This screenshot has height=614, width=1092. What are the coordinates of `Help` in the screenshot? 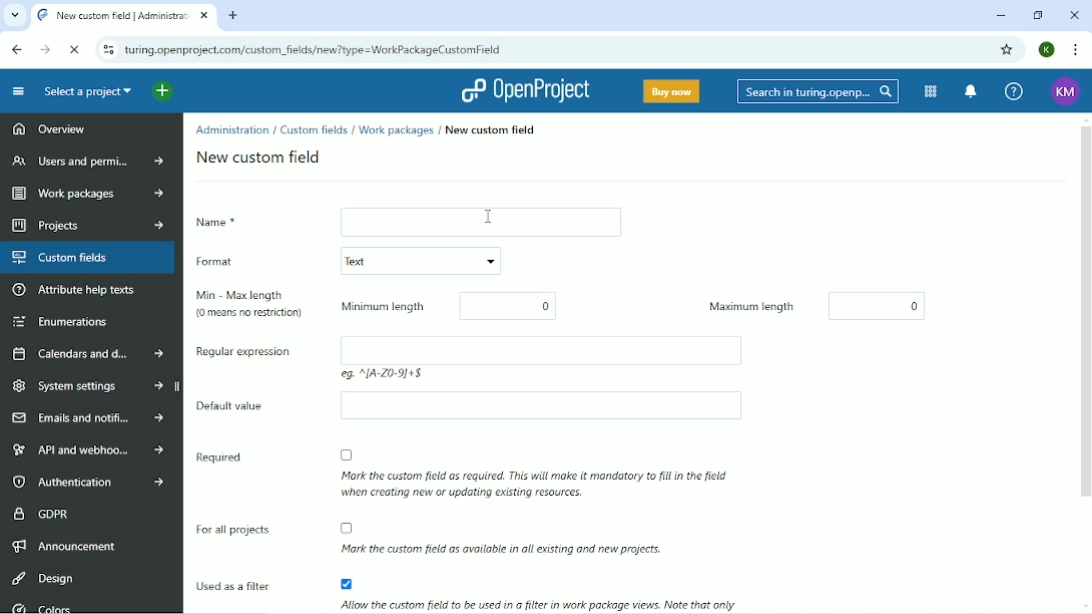 It's located at (1013, 92).